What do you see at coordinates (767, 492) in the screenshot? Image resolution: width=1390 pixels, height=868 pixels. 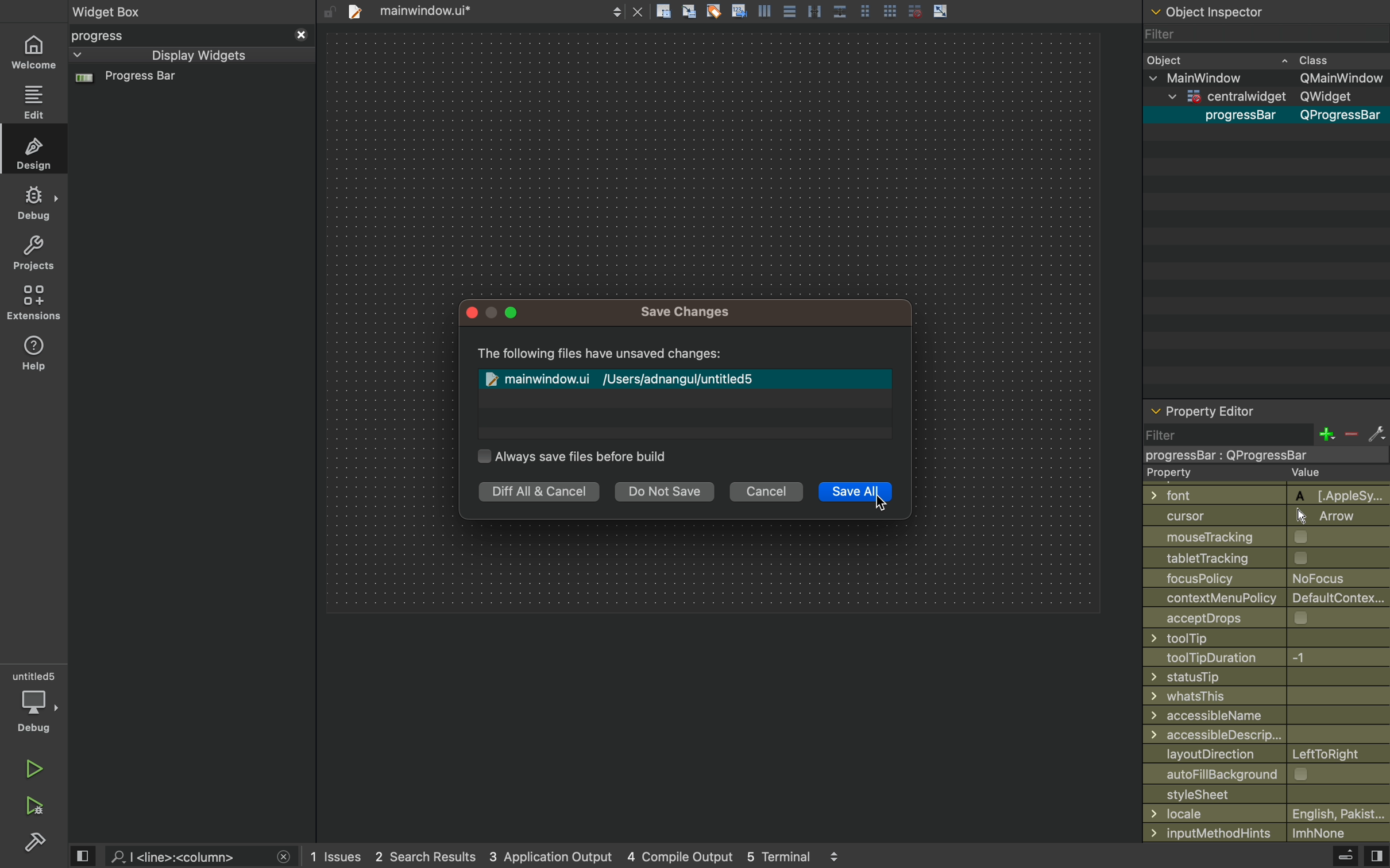 I see `cancel` at bounding box center [767, 492].